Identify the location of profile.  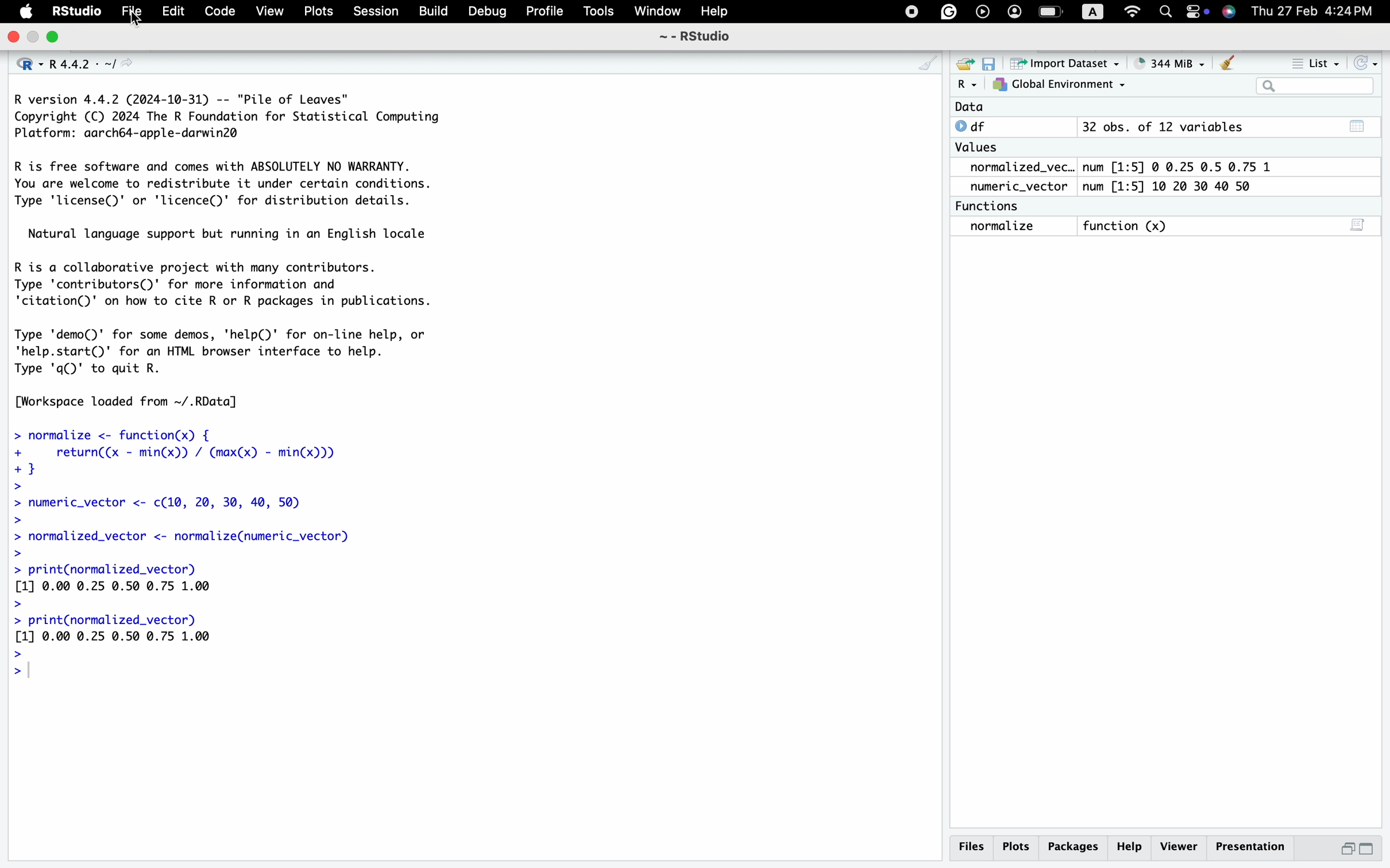
(1013, 12).